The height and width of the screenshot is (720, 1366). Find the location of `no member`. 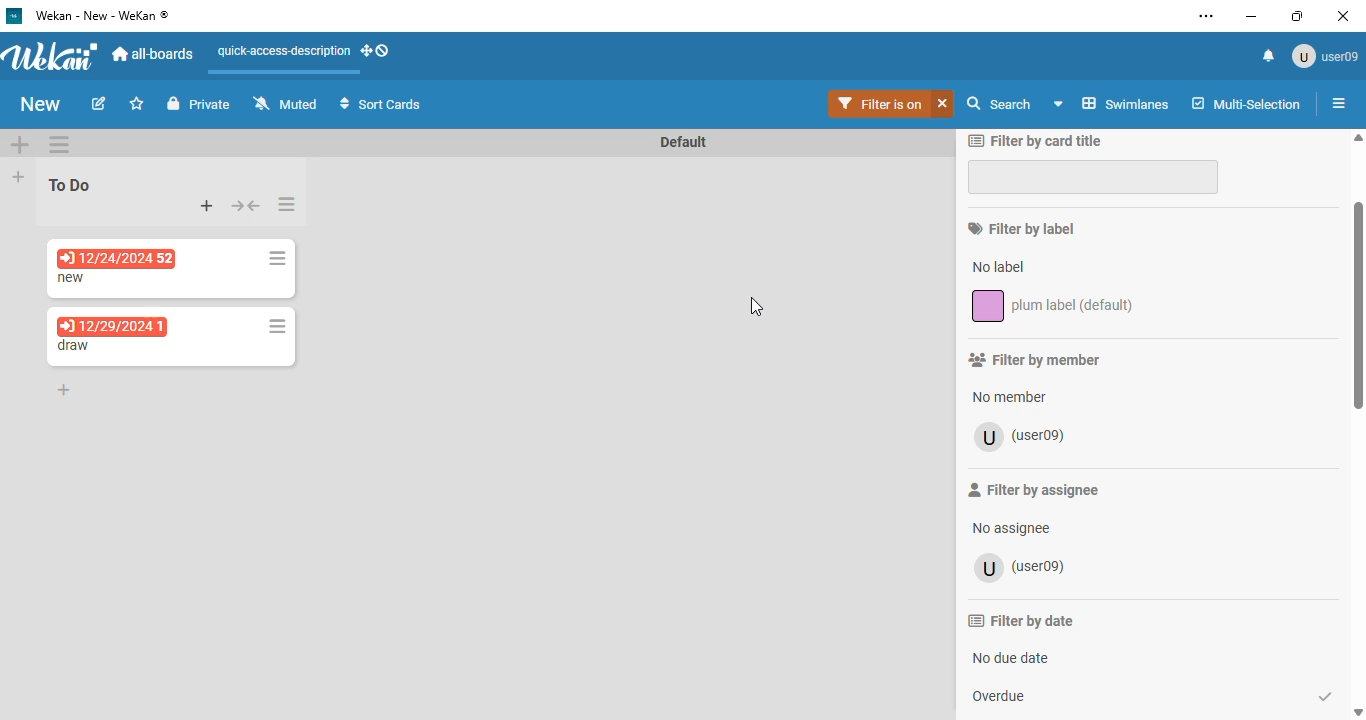

no member is located at coordinates (1010, 397).